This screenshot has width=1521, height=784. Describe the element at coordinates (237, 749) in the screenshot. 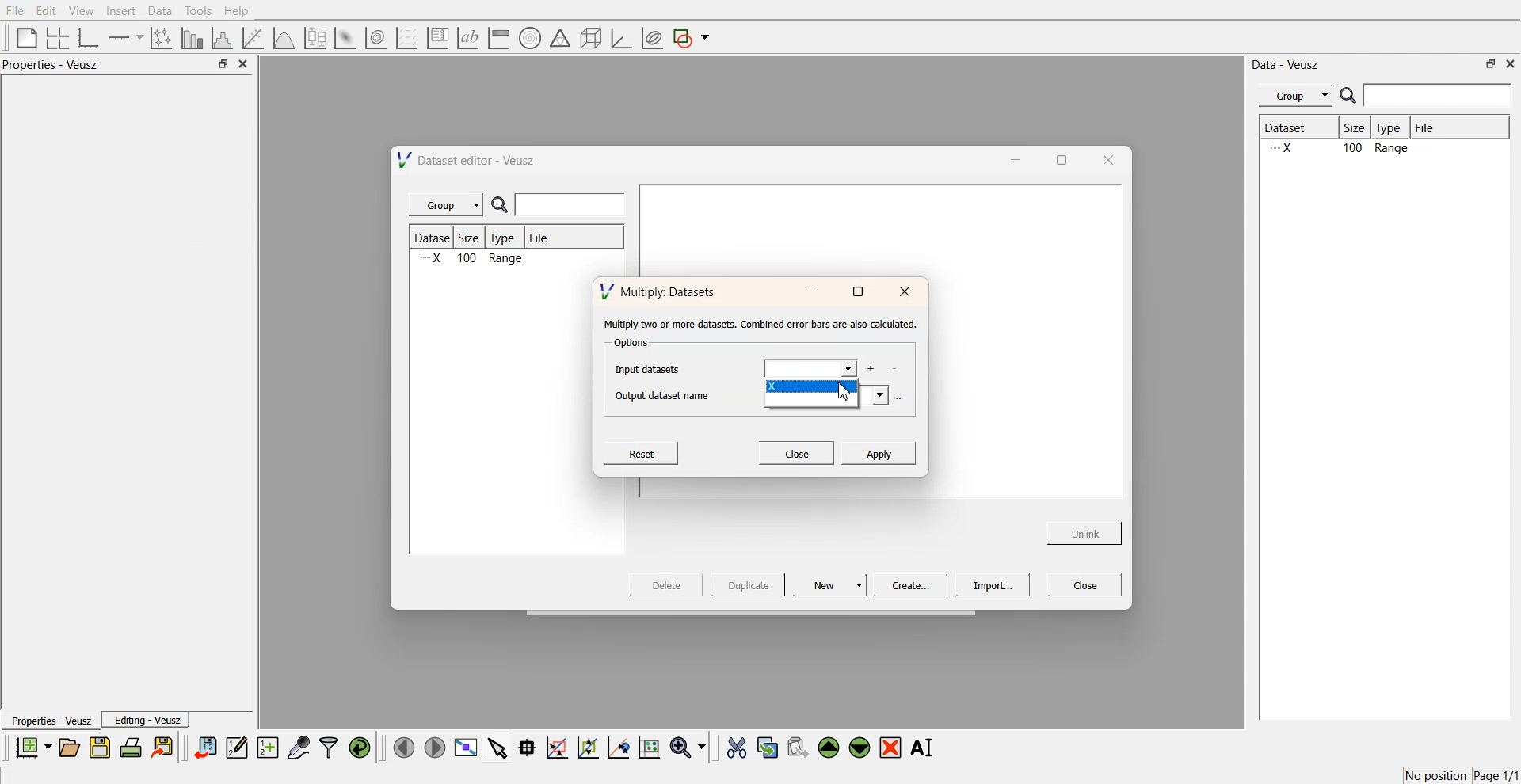

I see `edit and enter data points` at that location.